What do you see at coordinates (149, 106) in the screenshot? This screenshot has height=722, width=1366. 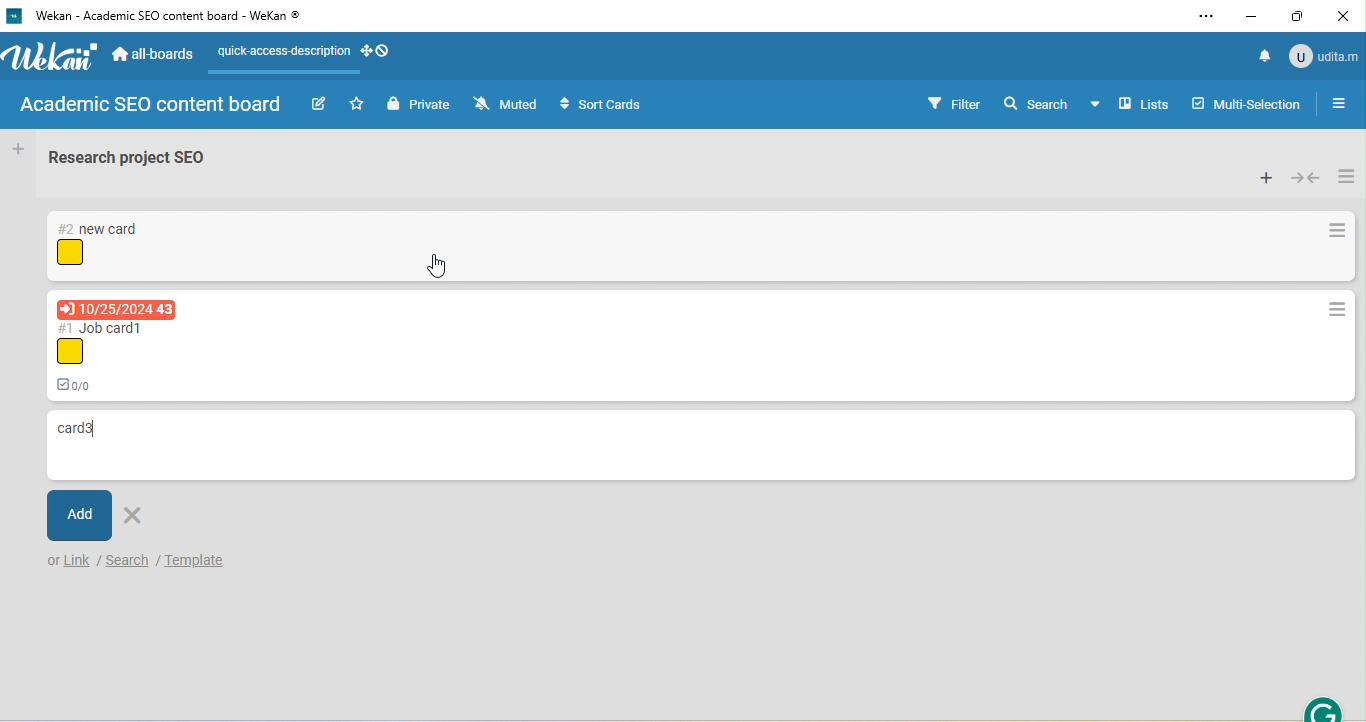 I see `boars name: academic SEO board` at bounding box center [149, 106].